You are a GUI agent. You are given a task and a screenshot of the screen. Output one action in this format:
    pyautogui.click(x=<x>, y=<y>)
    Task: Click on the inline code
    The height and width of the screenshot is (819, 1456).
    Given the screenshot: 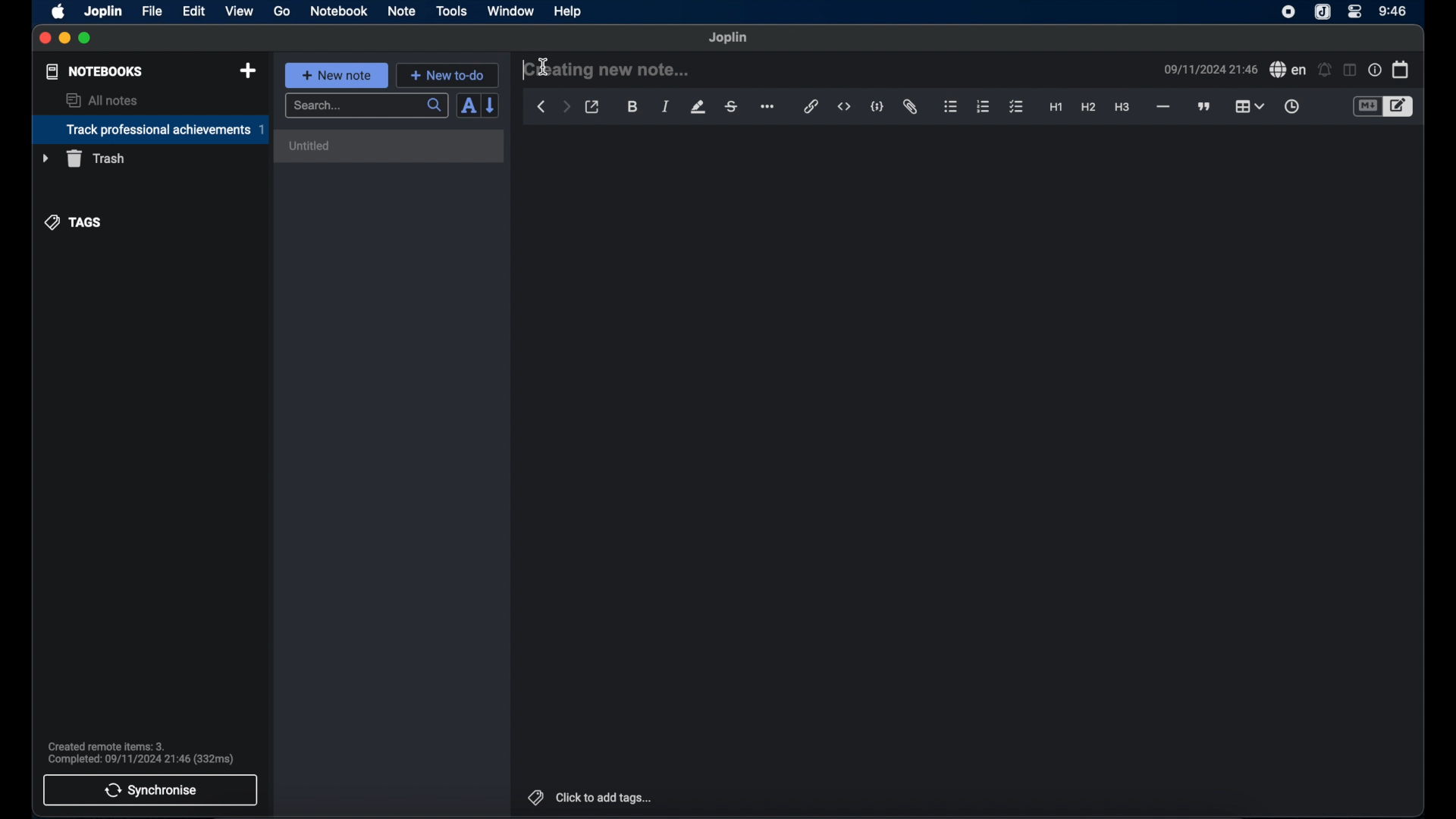 What is the action you would take?
    pyautogui.click(x=844, y=107)
    